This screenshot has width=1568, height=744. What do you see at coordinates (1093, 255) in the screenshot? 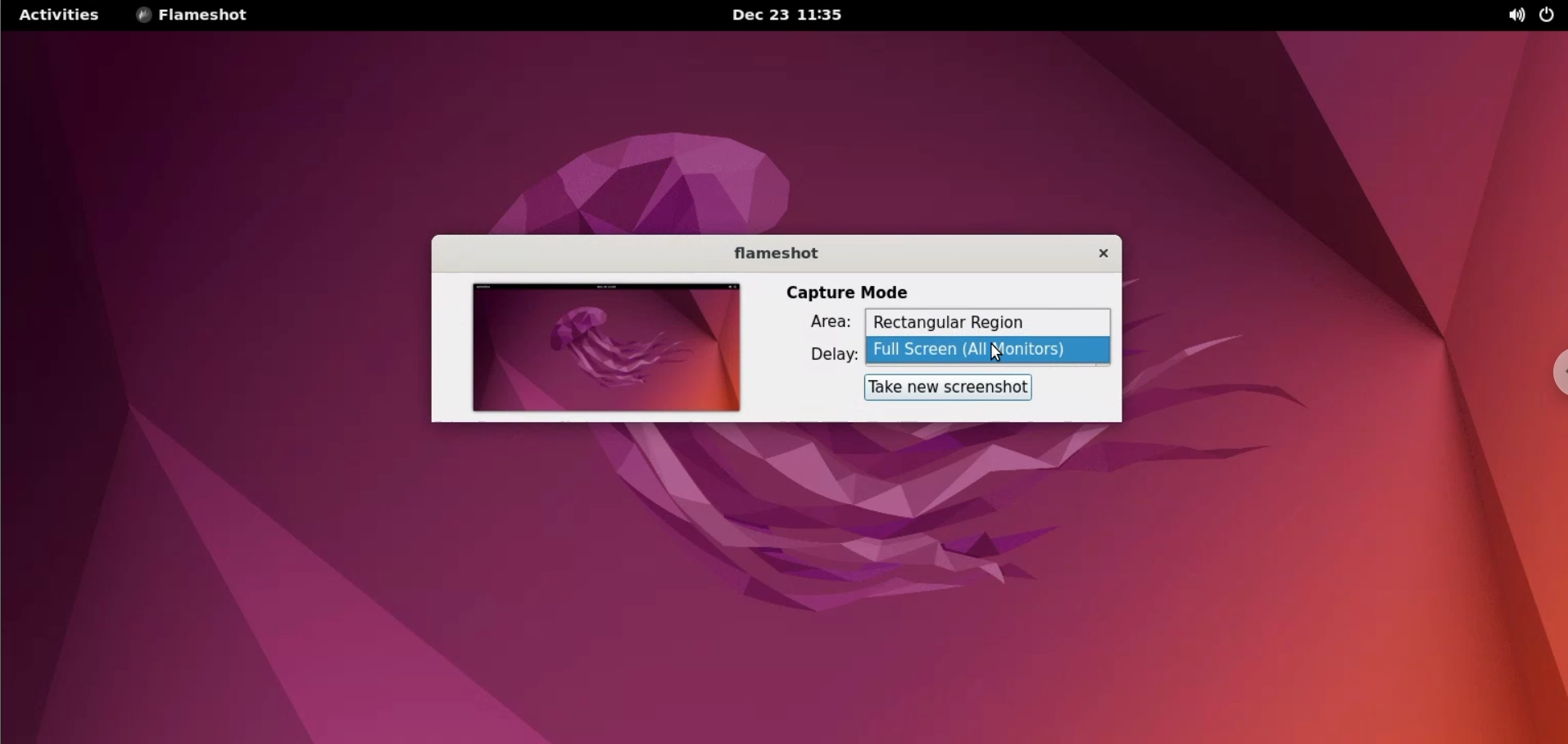
I see `close` at bounding box center [1093, 255].